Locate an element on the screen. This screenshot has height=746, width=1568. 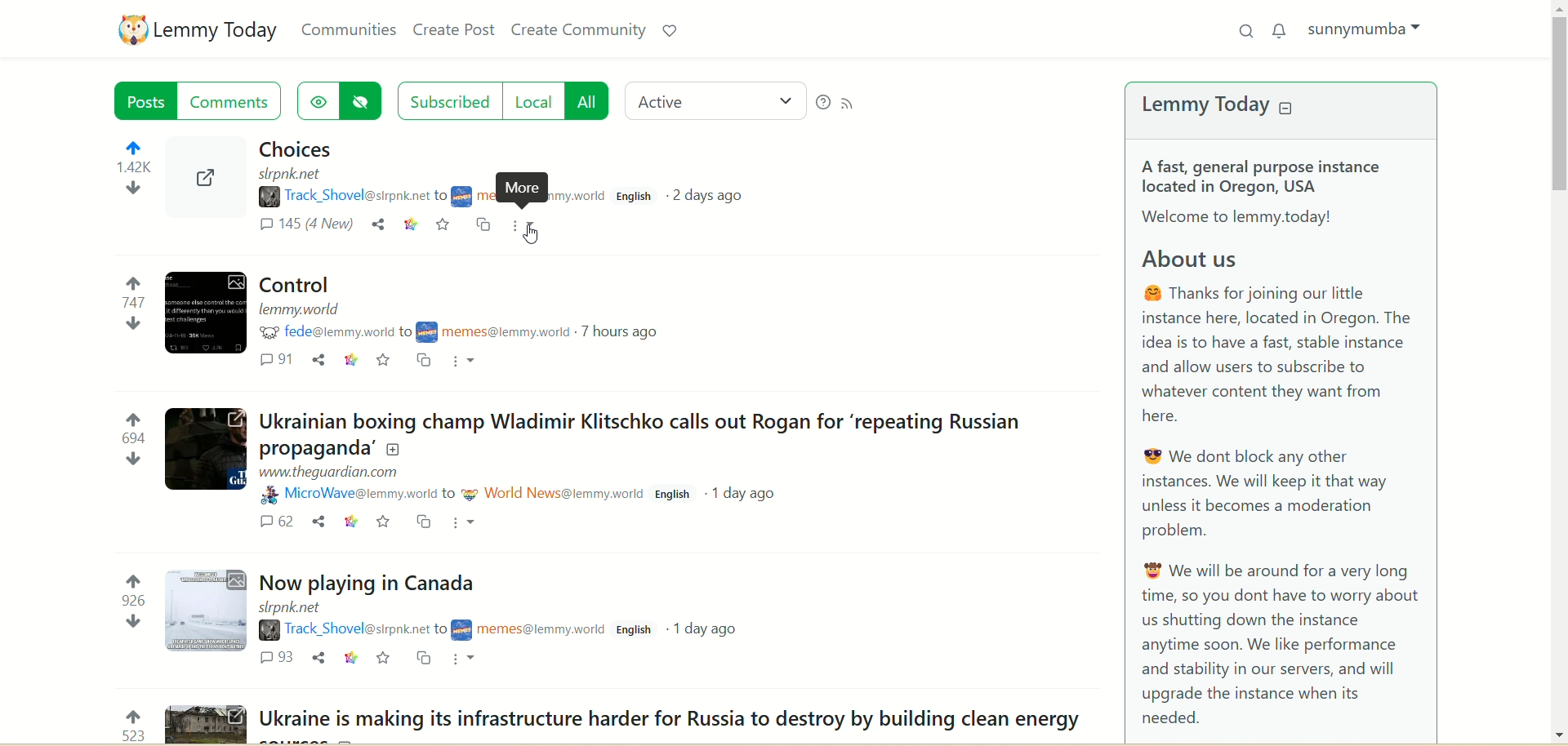
active is located at coordinates (715, 97).